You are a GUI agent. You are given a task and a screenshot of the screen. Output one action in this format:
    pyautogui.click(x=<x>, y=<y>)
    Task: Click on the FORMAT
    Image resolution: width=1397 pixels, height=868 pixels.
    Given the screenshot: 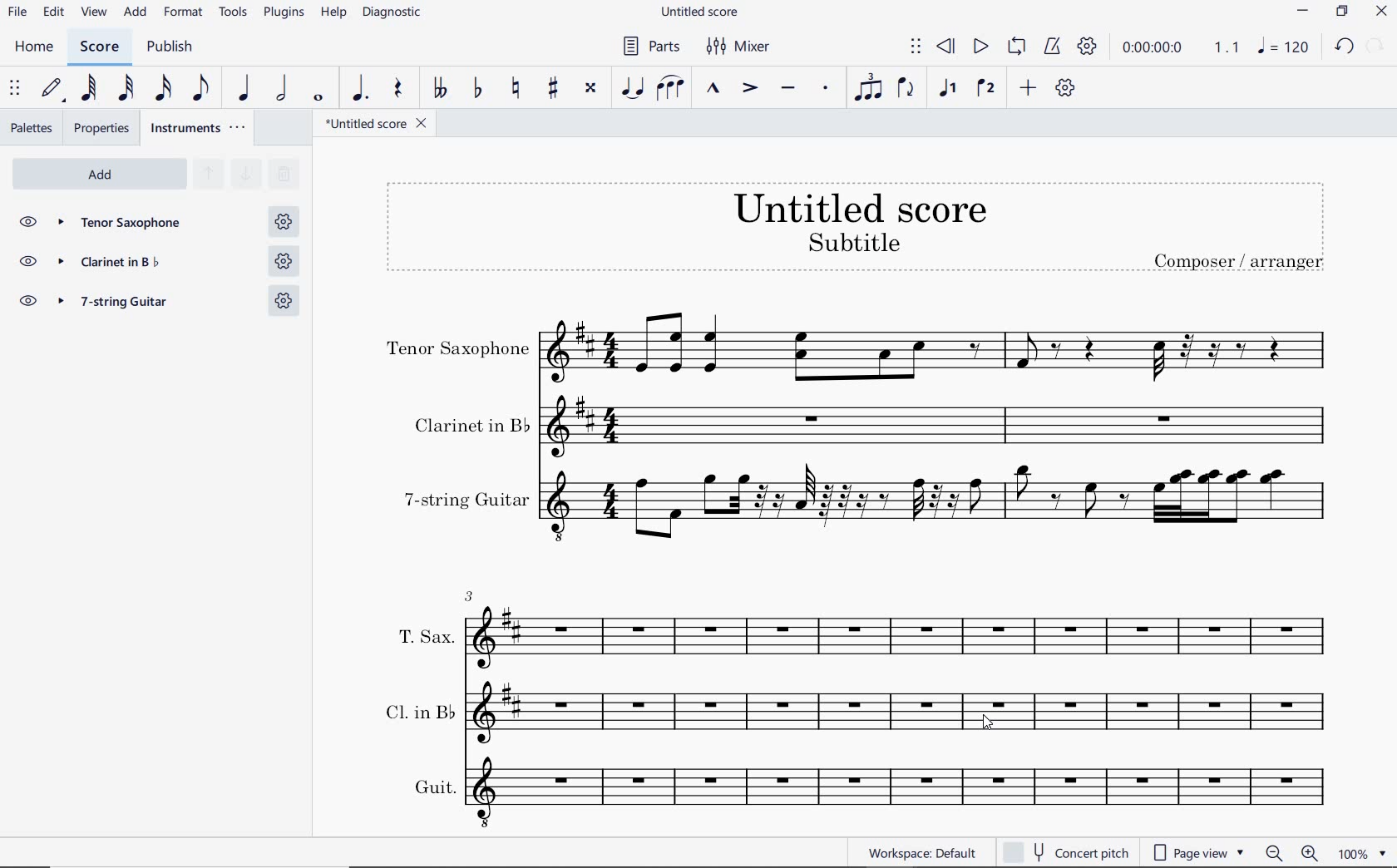 What is the action you would take?
    pyautogui.click(x=185, y=12)
    